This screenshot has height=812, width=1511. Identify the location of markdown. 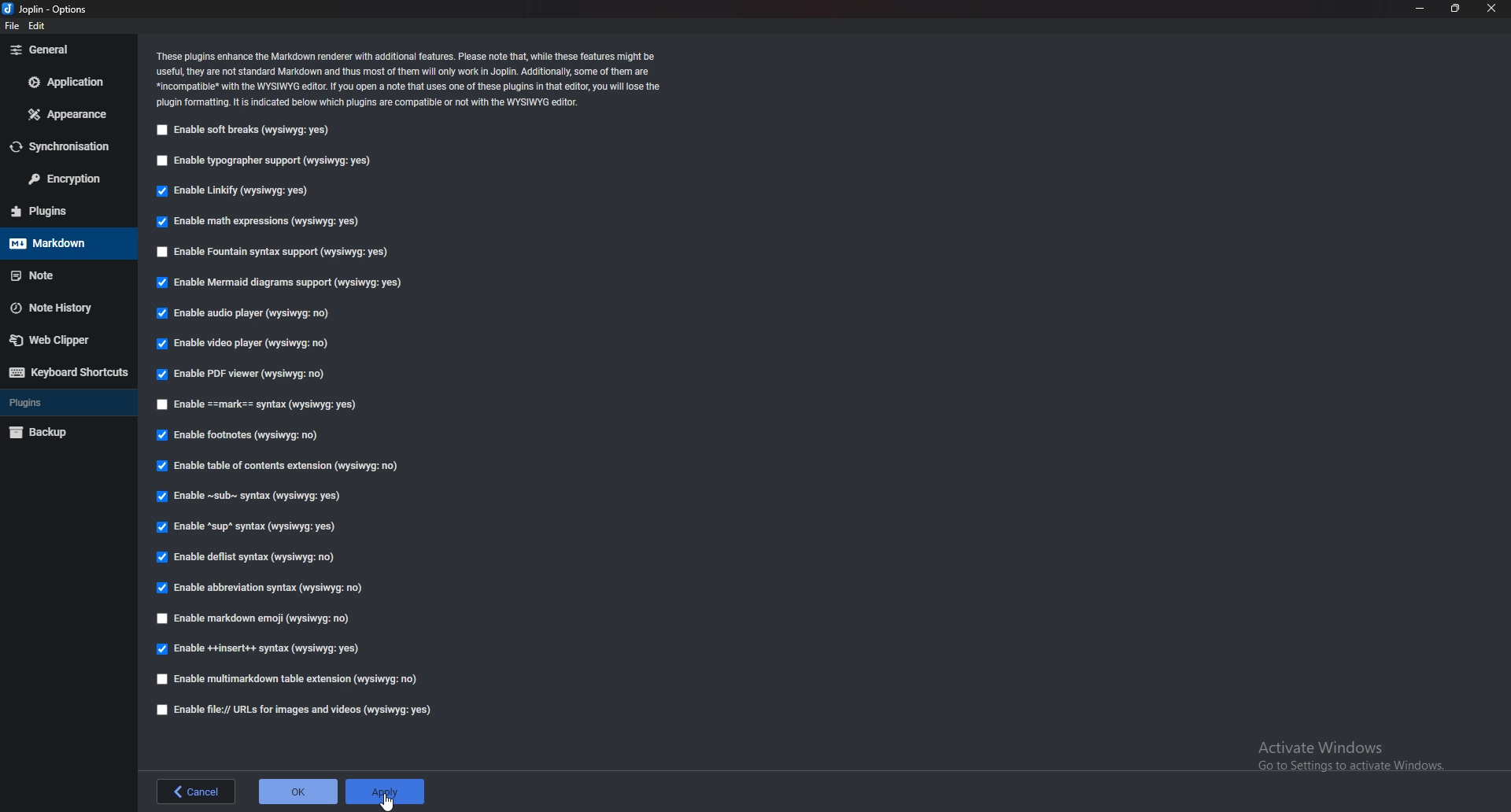
(63, 243).